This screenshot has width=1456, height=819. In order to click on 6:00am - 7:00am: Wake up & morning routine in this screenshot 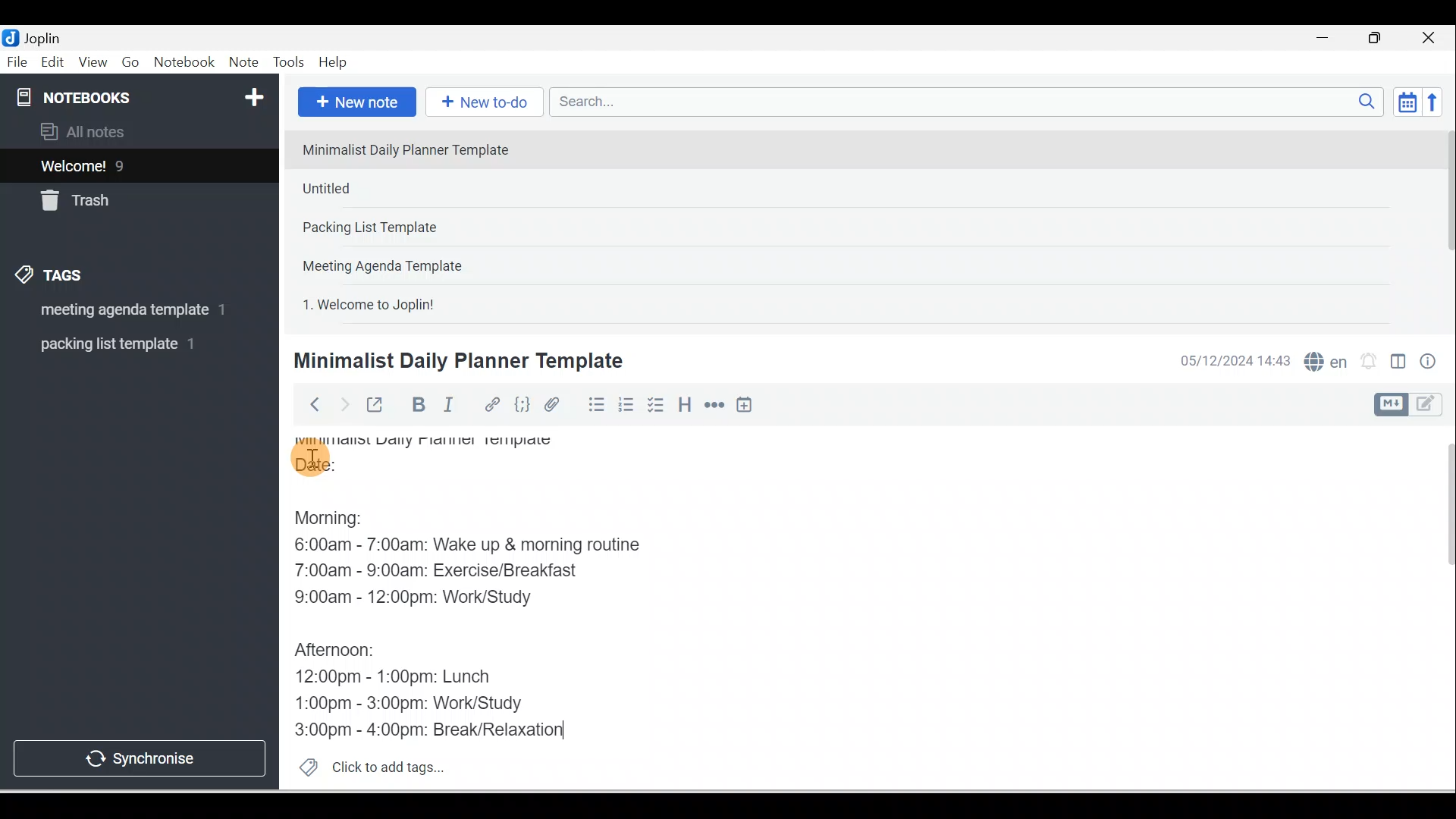, I will do `click(482, 545)`.